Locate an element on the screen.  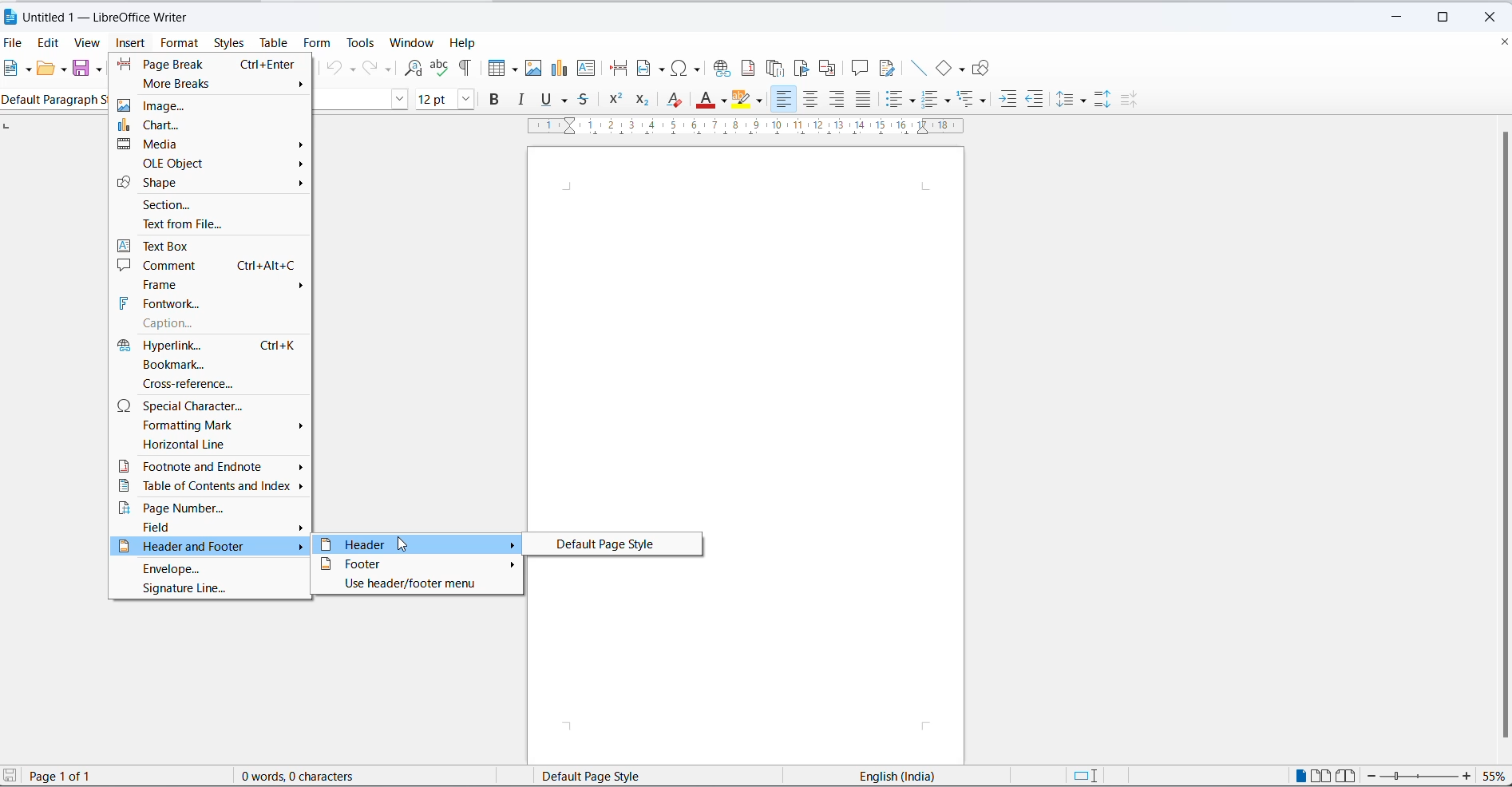
line spacing options is located at coordinates (1086, 100).